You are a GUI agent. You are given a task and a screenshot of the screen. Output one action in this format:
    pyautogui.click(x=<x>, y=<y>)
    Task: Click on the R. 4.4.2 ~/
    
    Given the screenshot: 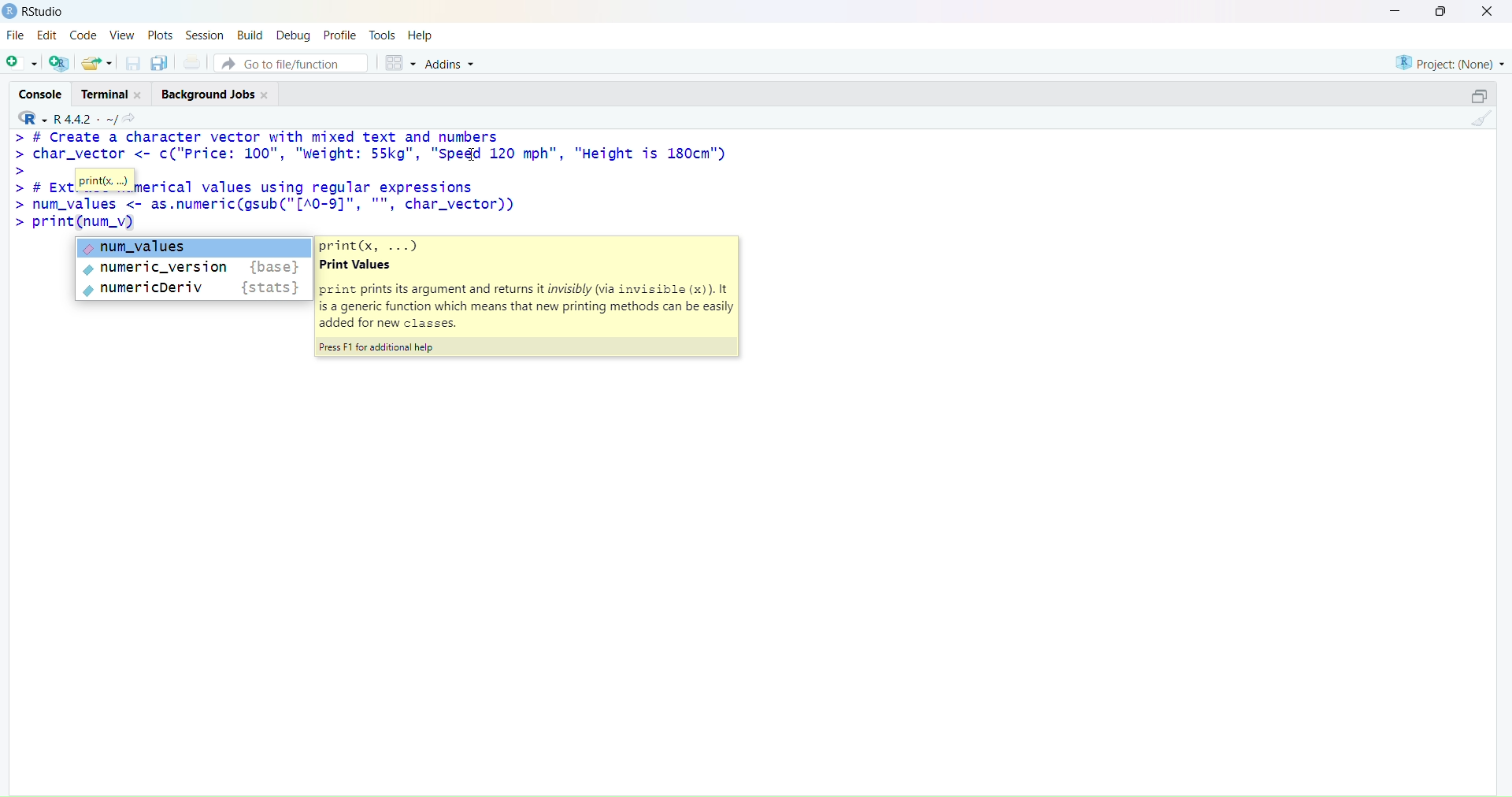 What is the action you would take?
    pyautogui.click(x=84, y=120)
    